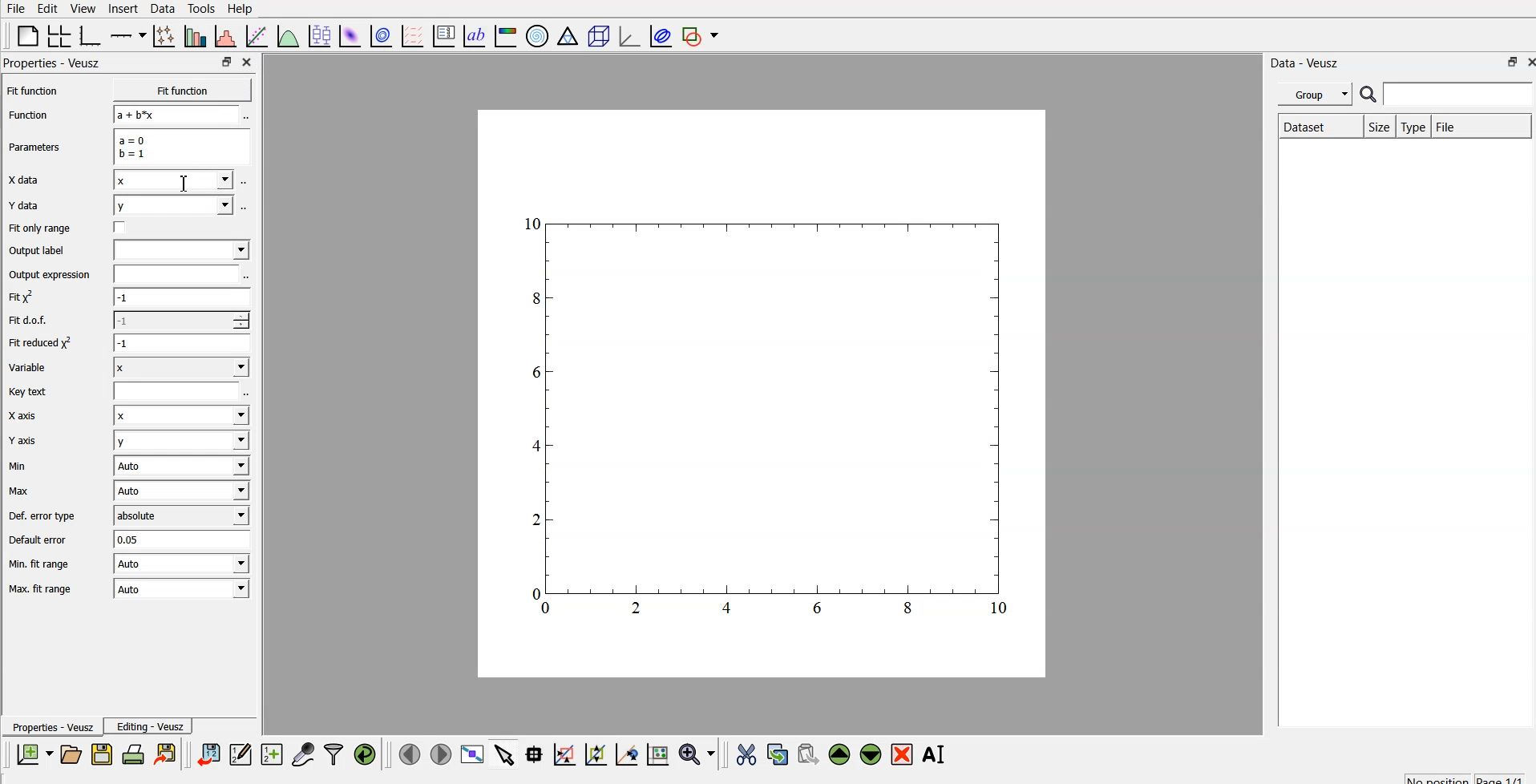 The height and width of the screenshot is (784, 1536). What do you see at coordinates (41, 590) in the screenshot?
I see `Max. fit range` at bounding box center [41, 590].